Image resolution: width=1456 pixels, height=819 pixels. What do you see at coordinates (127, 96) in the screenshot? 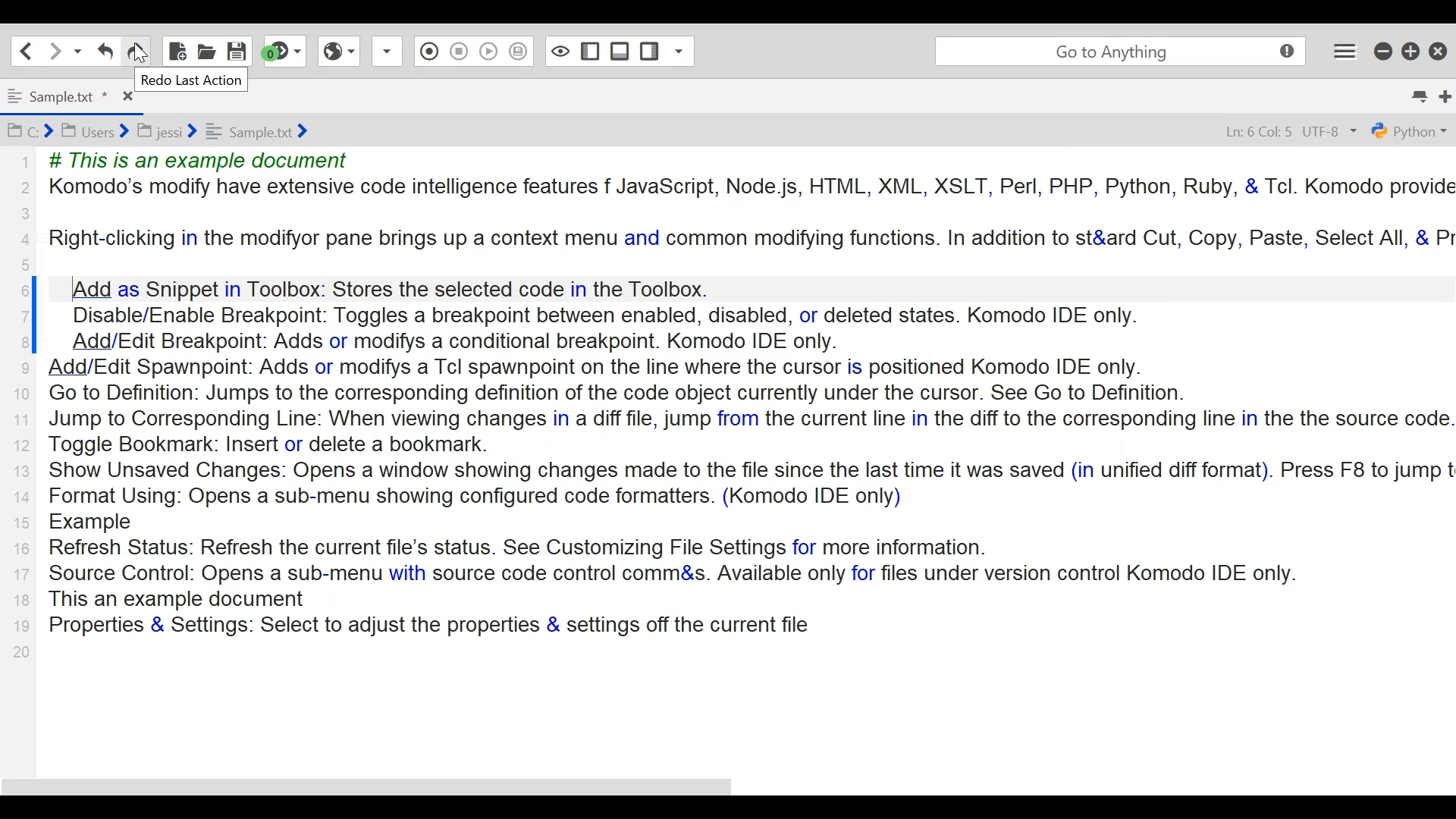
I see `Close` at bounding box center [127, 96].